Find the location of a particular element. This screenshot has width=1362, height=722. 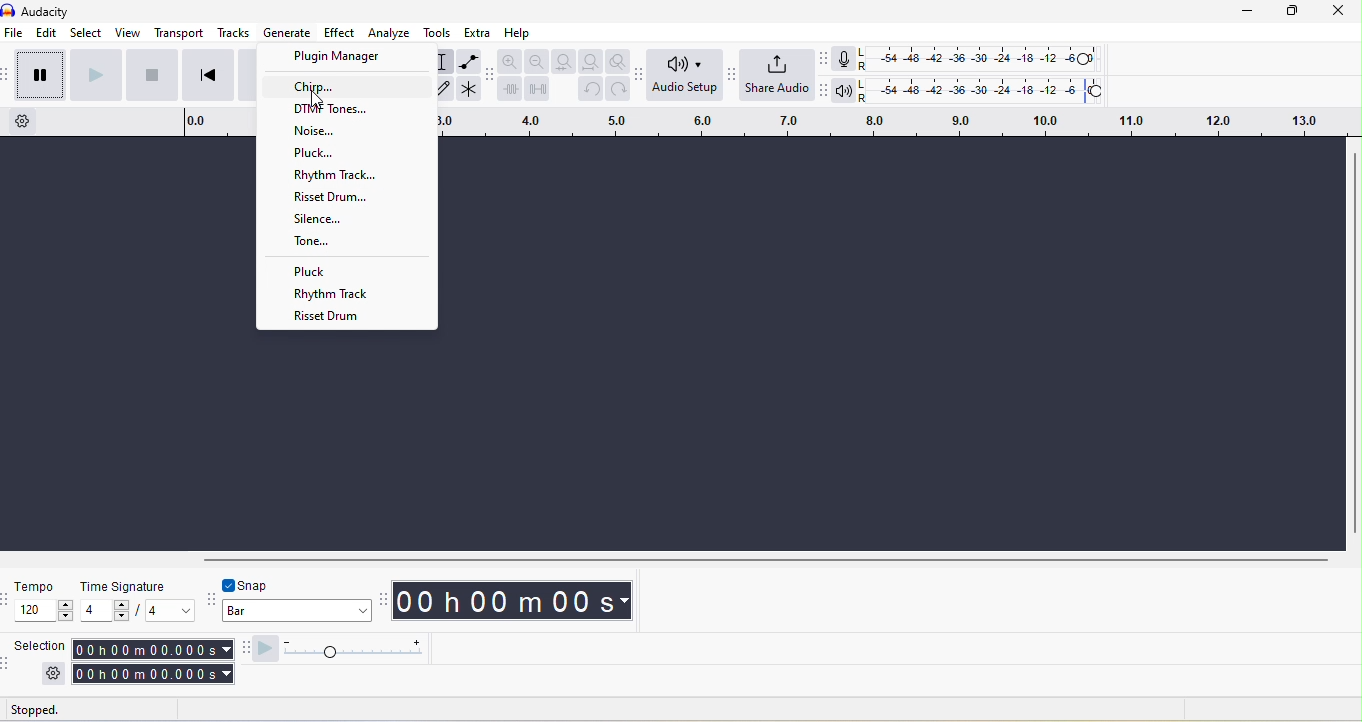

noise is located at coordinates (315, 132).